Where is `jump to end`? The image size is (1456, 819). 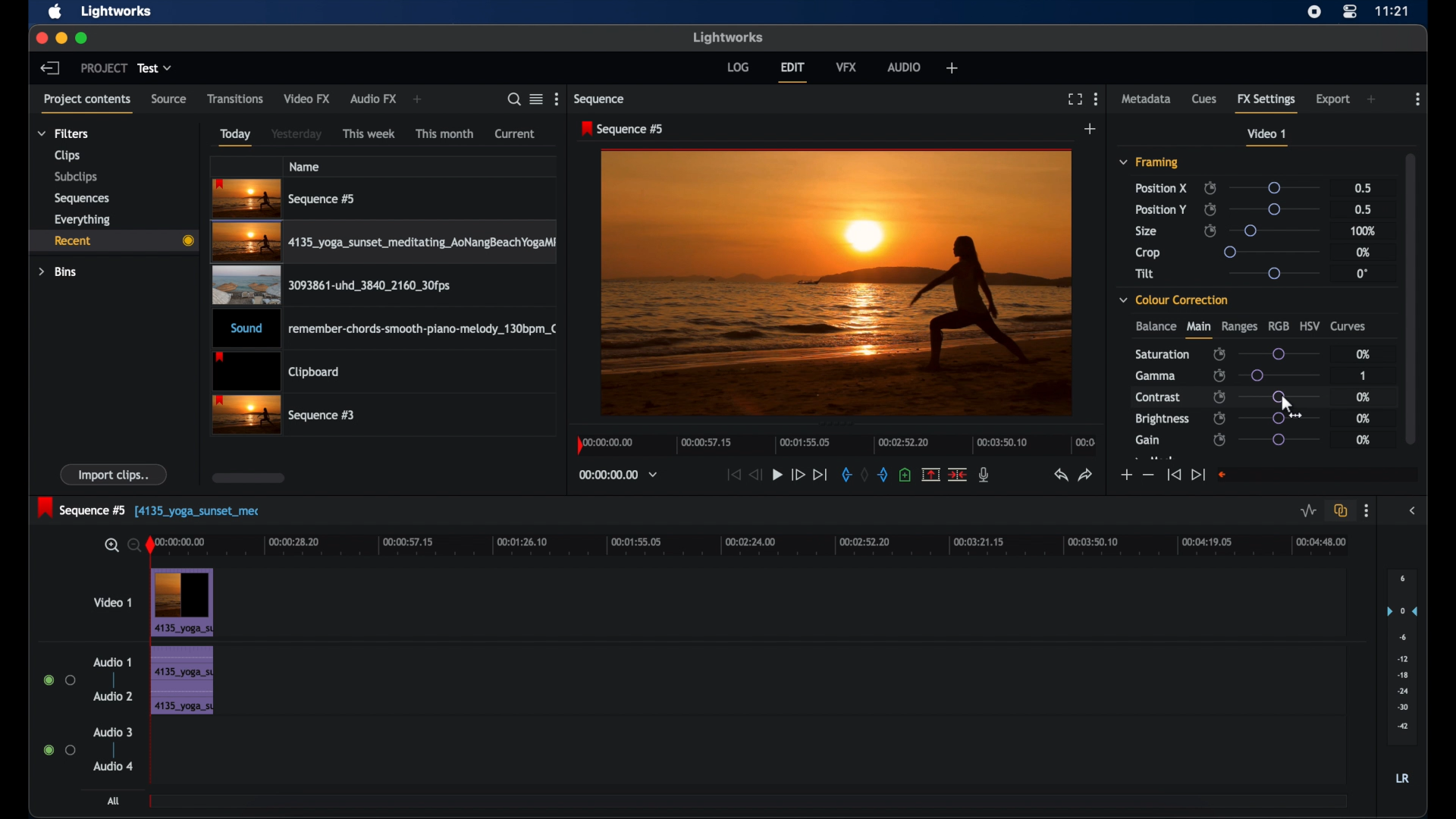 jump to end is located at coordinates (820, 475).